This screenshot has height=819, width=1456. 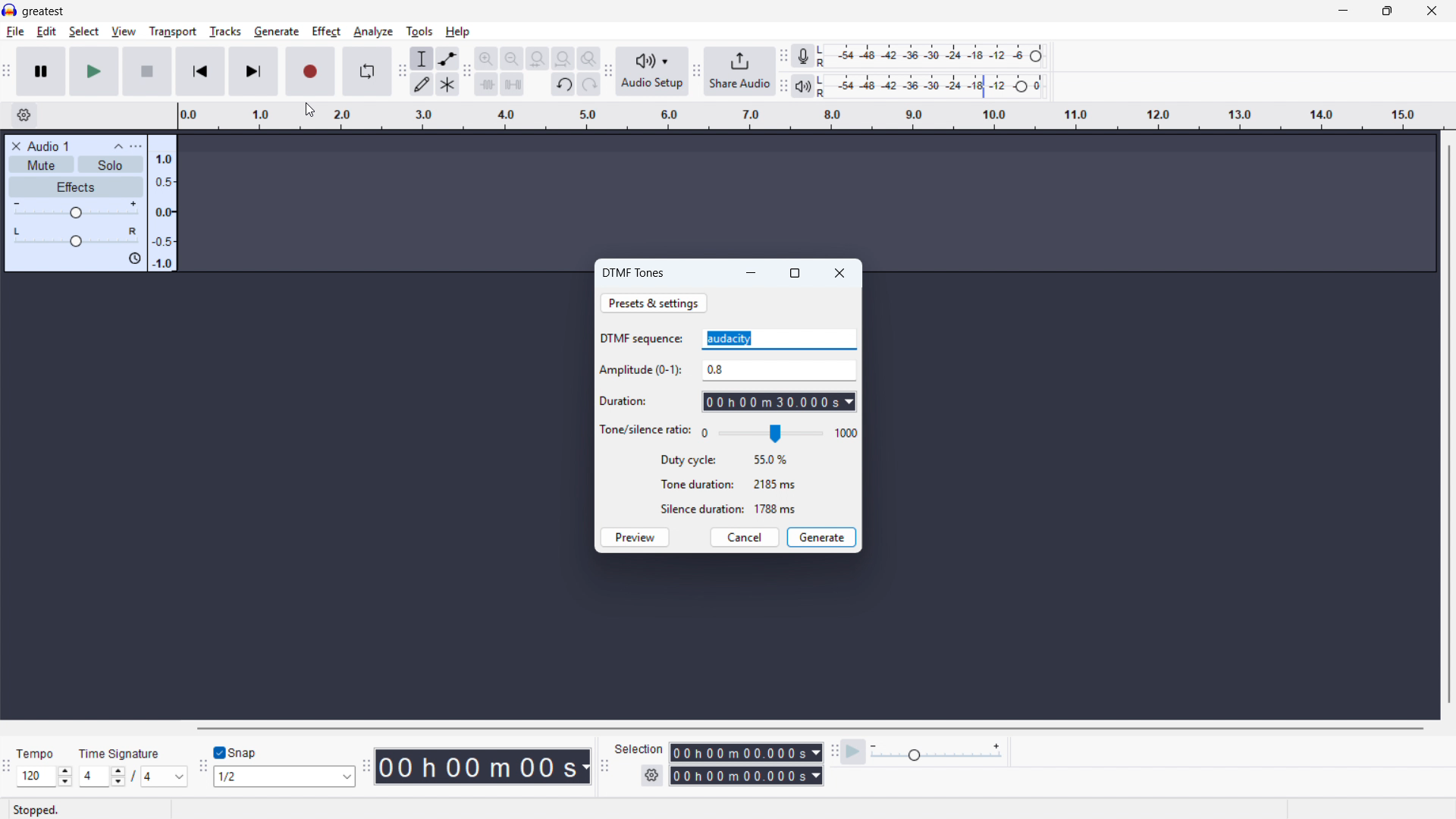 I want to click on Duration , so click(x=780, y=402).